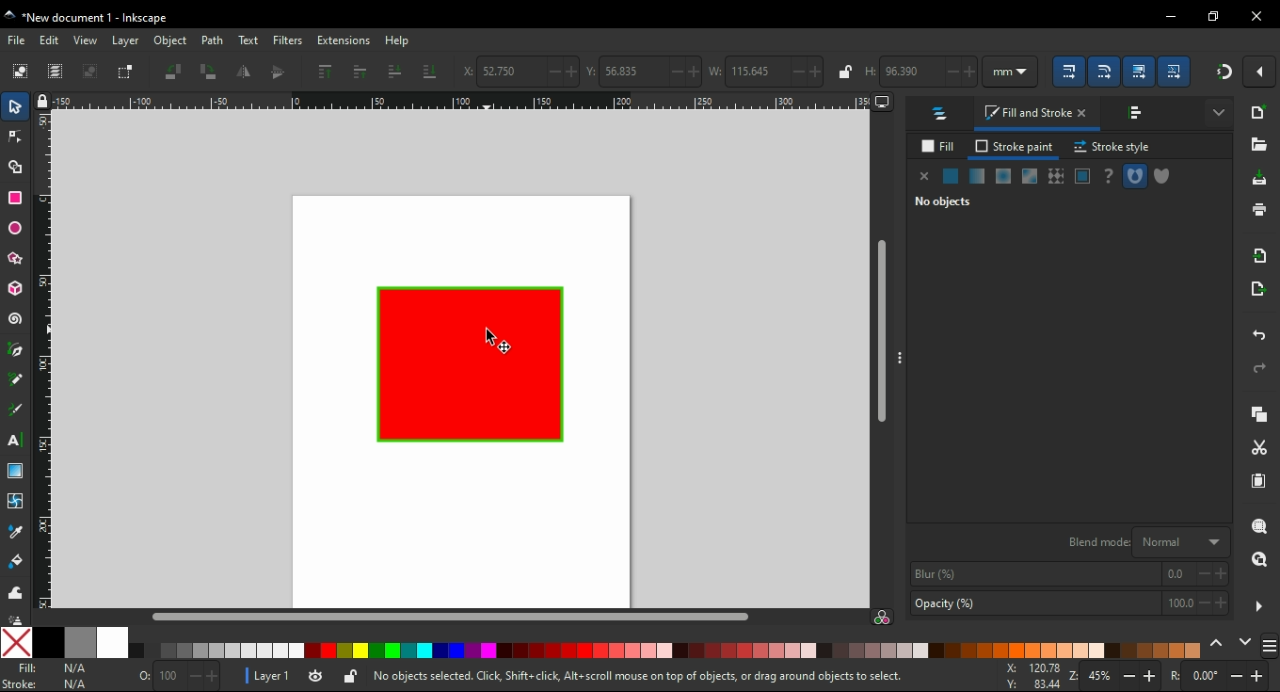  What do you see at coordinates (208, 72) in the screenshot?
I see `object rotate 90` at bounding box center [208, 72].